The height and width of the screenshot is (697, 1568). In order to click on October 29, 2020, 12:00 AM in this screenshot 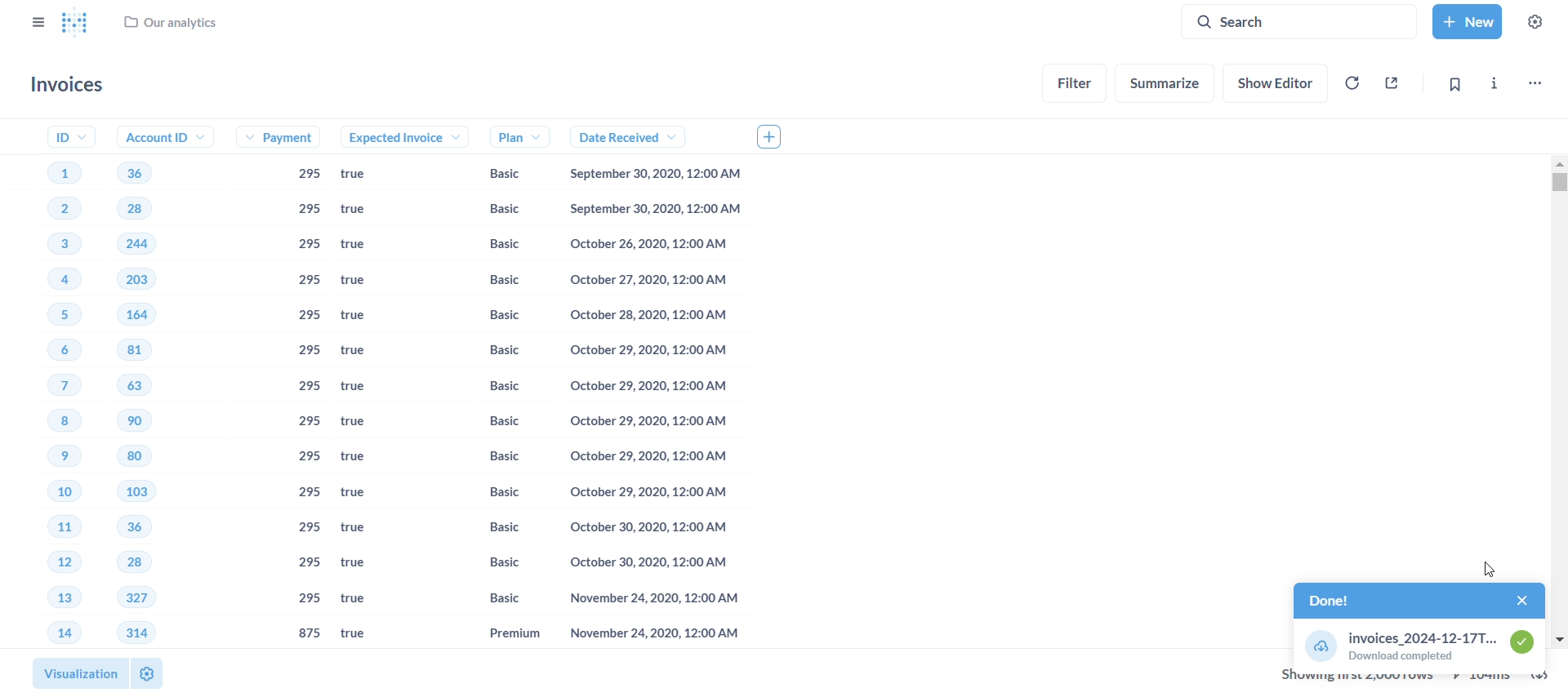, I will do `click(645, 455)`.